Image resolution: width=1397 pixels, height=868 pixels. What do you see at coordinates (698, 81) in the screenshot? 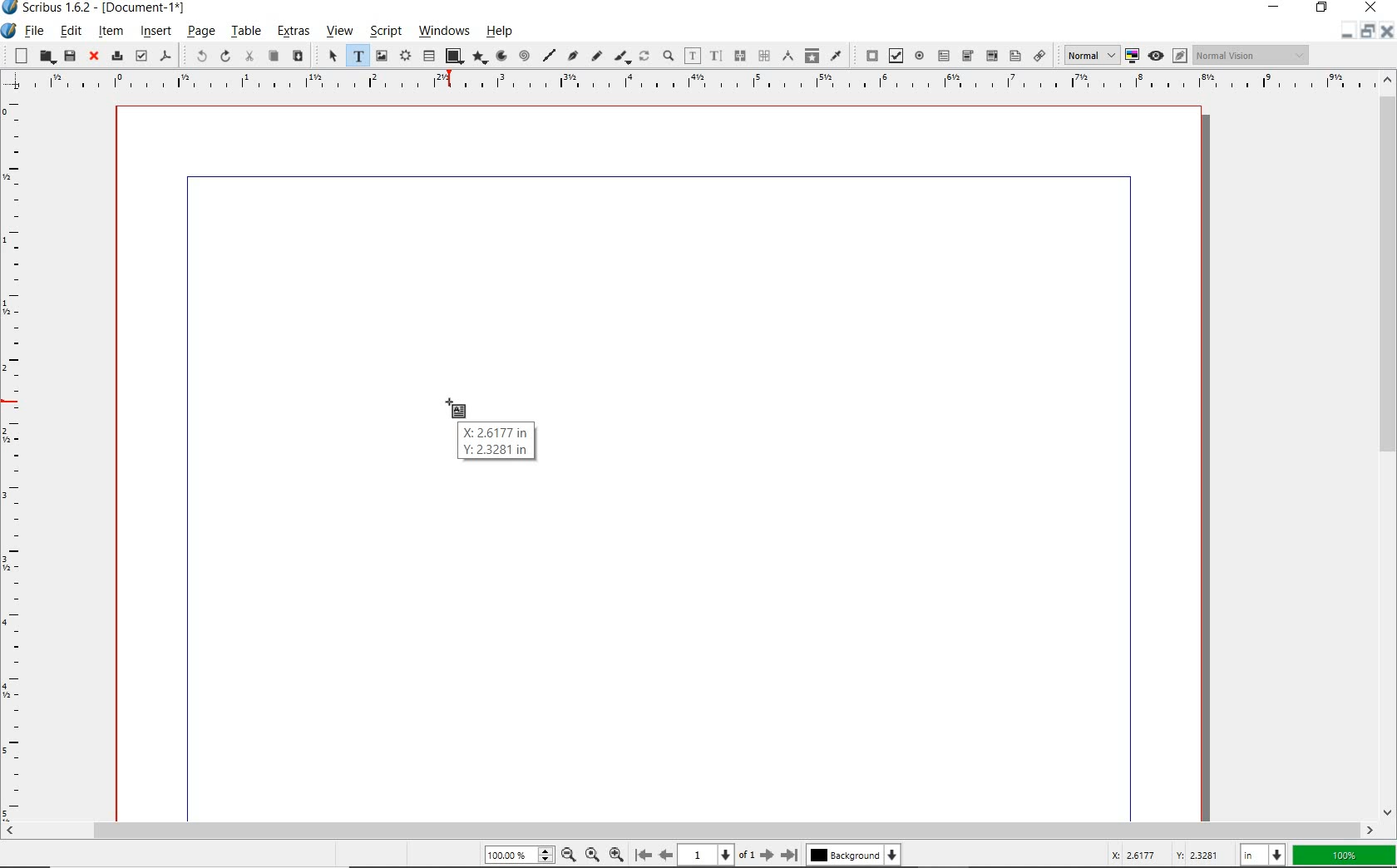
I see `Horizontal Margins` at bounding box center [698, 81].